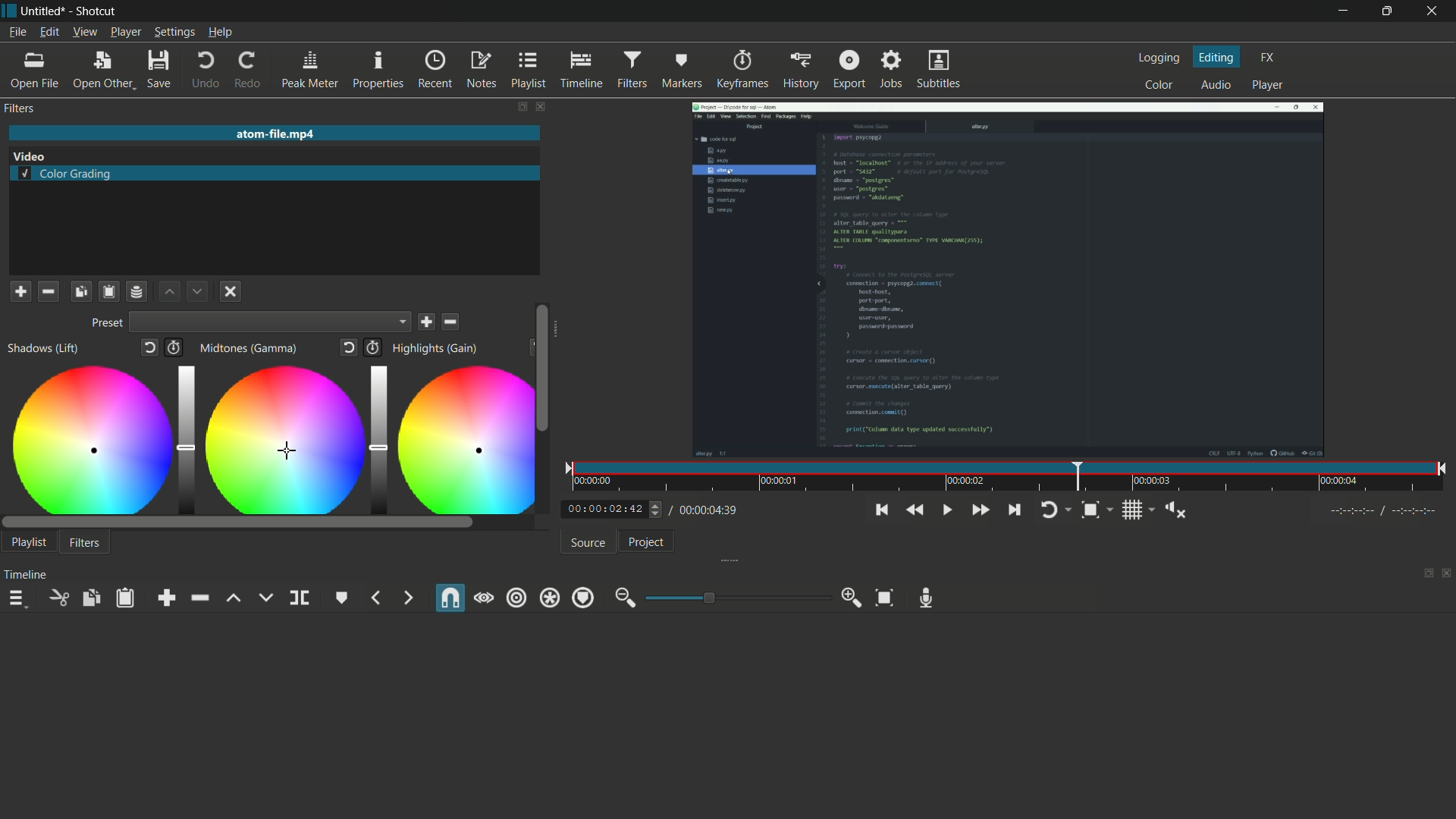  Describe the element at coordinates (680, 71) in the screenshot. I see `markers` at that location.